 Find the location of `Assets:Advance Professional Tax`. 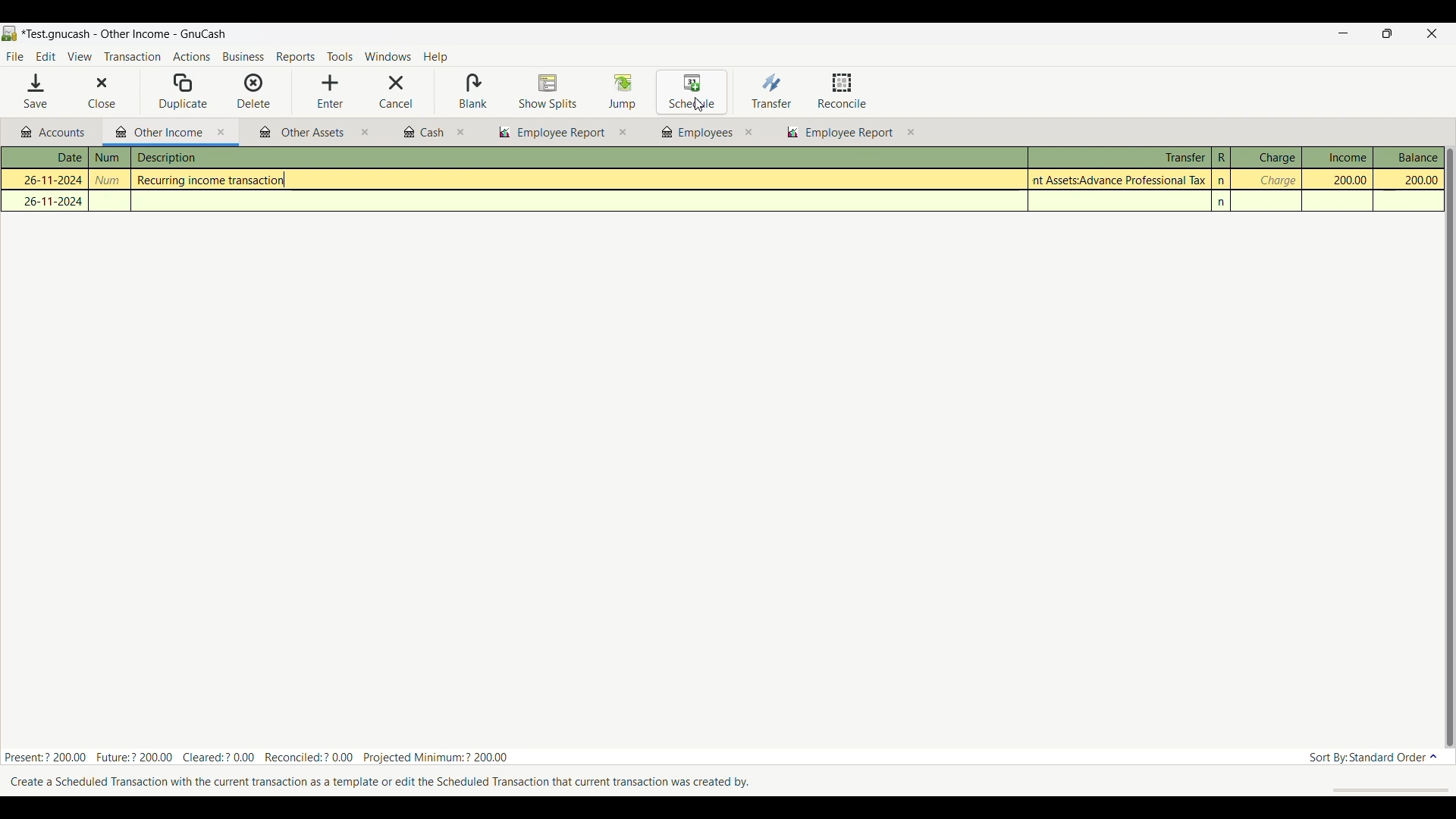

Assets:Advance Professional Tax is located at coordinates (1122, 180).